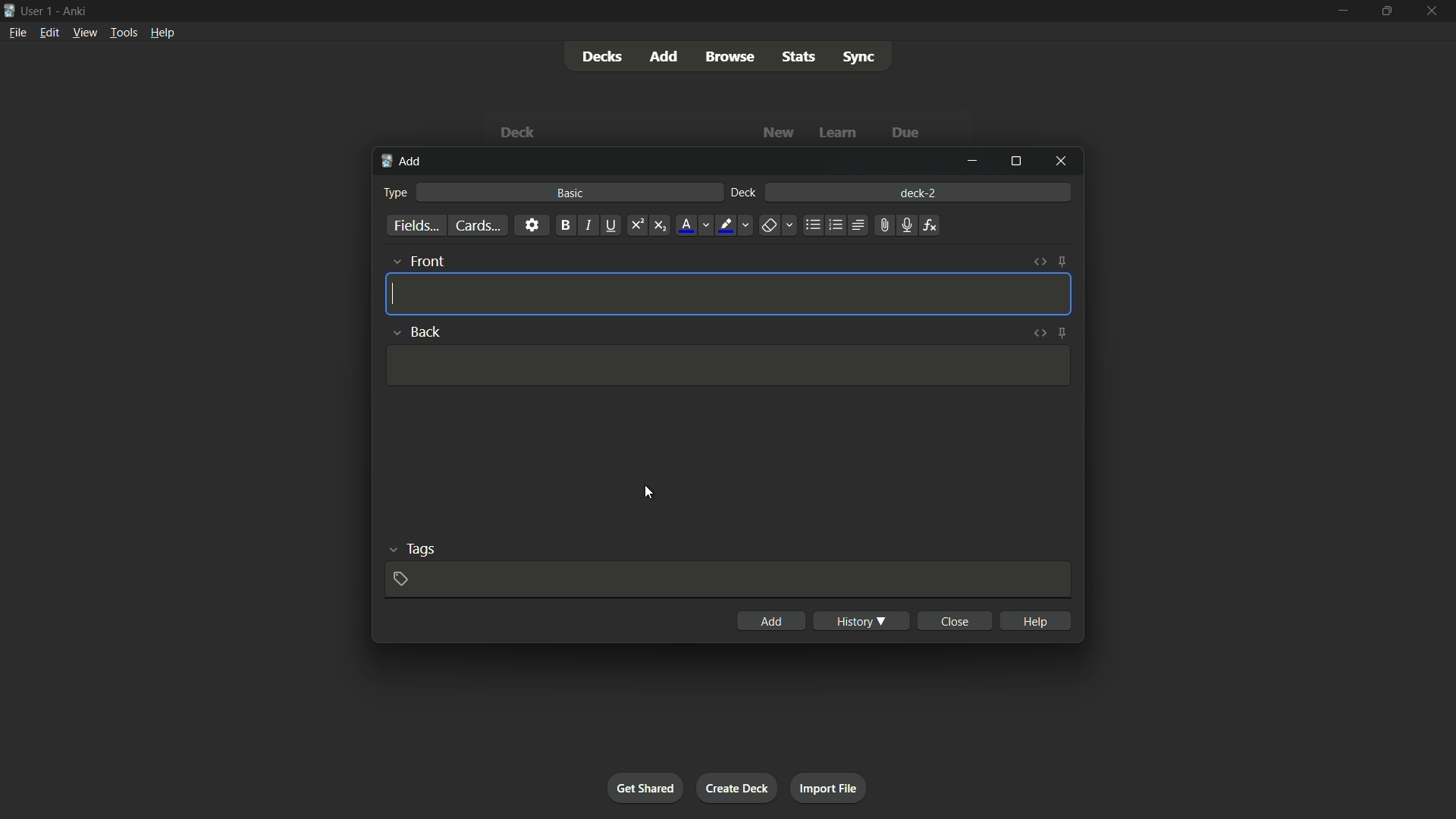 This screenshot has width=1456, height=819. Describe the element at coordinates (600, 56) in the screenshot. I see `decks` at that location.